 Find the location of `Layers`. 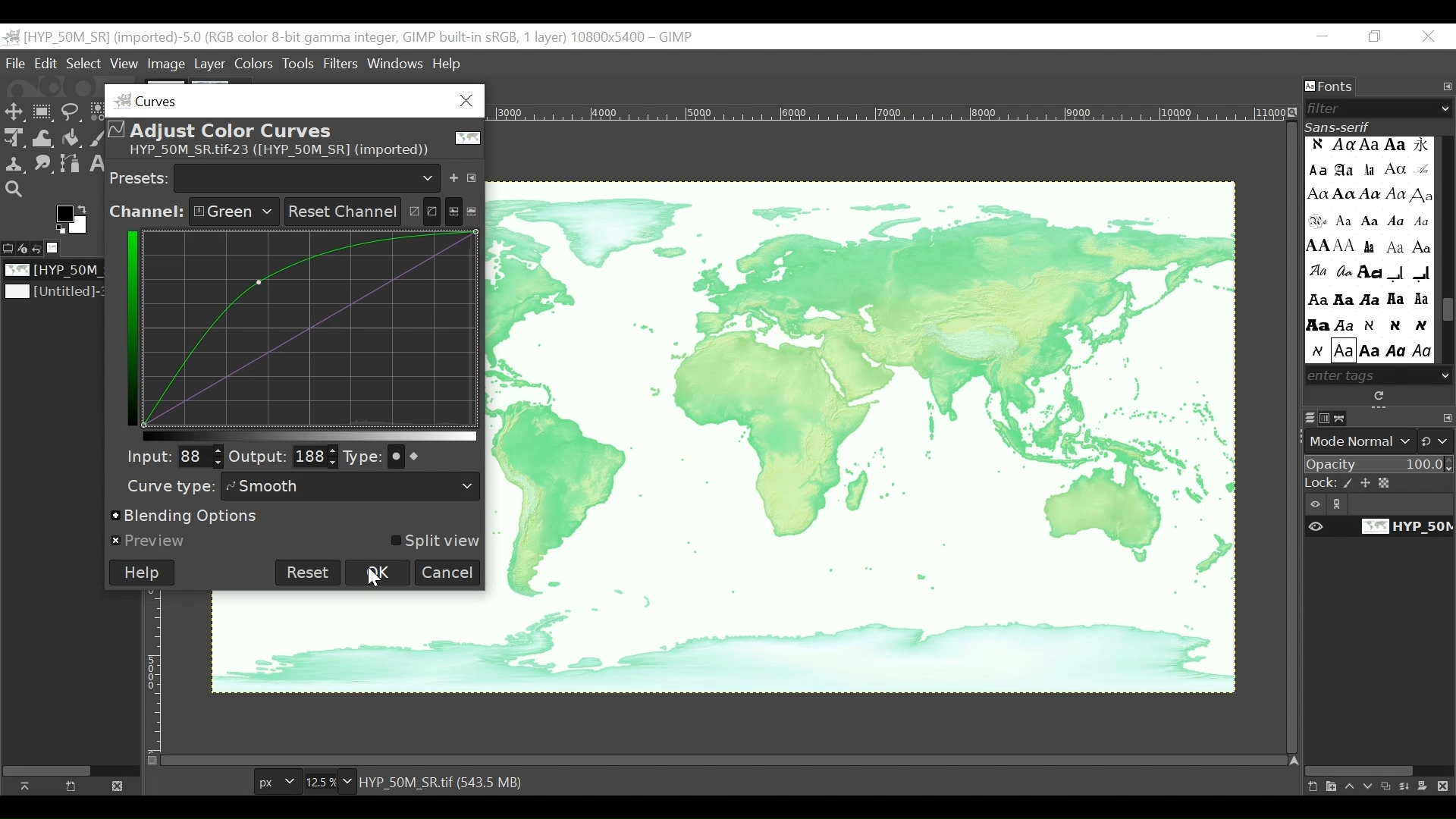

Layers is located at coordinates (1310, 419).